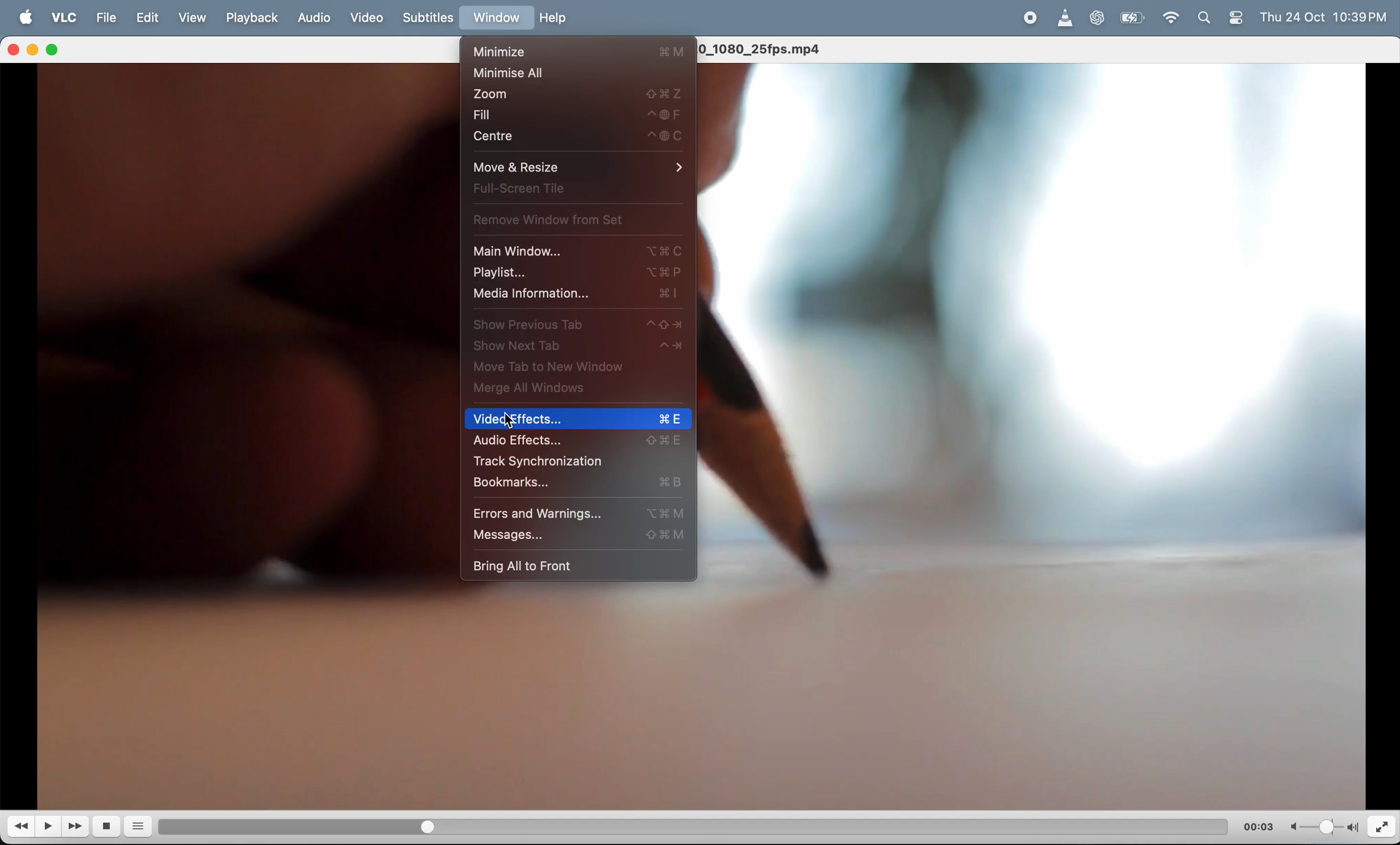 The image size is (1400, 845). I want to click on move to next tab, so click(567, 368).